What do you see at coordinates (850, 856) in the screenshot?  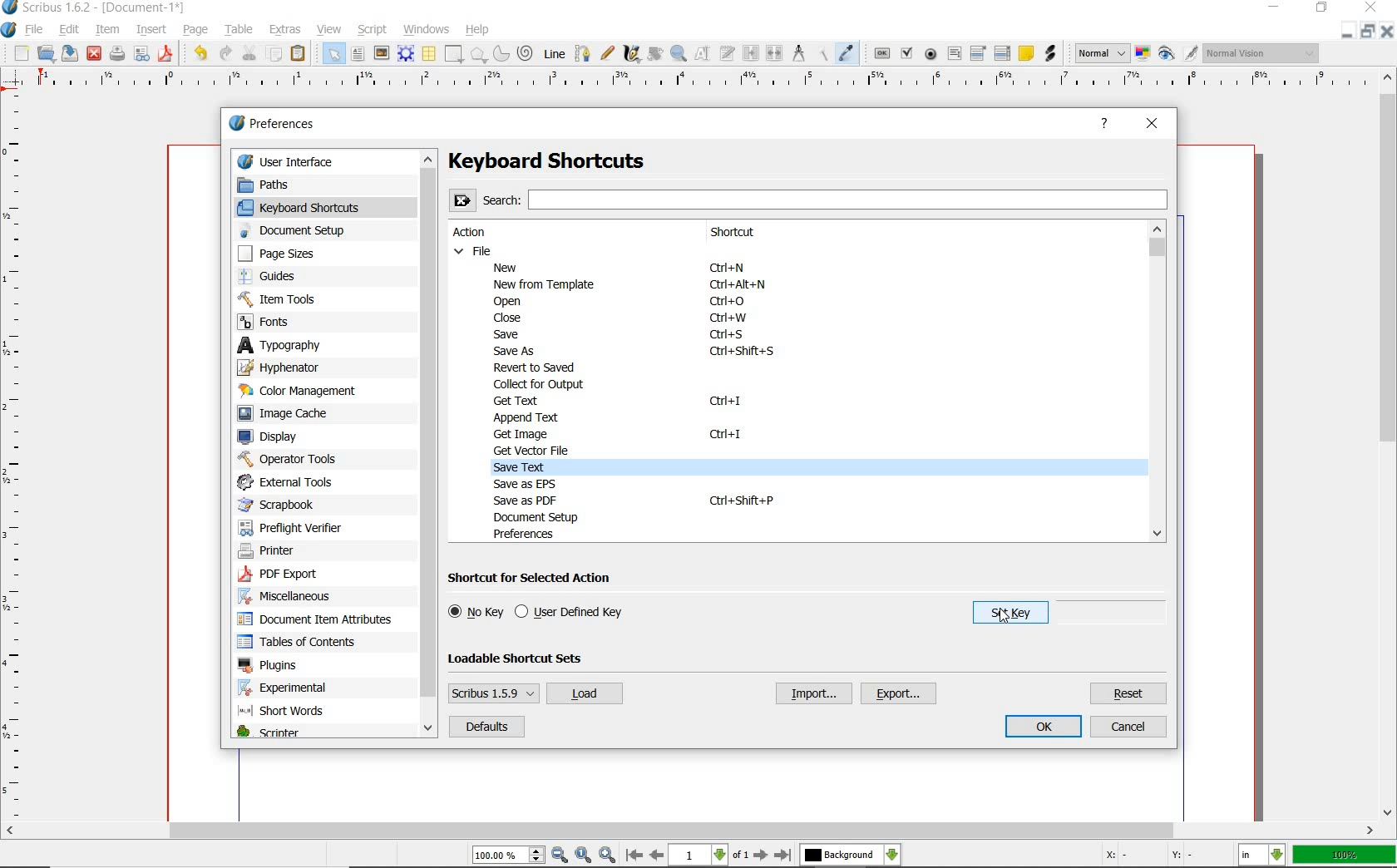 I see `select the current layer` at bounding box center [850, 856].